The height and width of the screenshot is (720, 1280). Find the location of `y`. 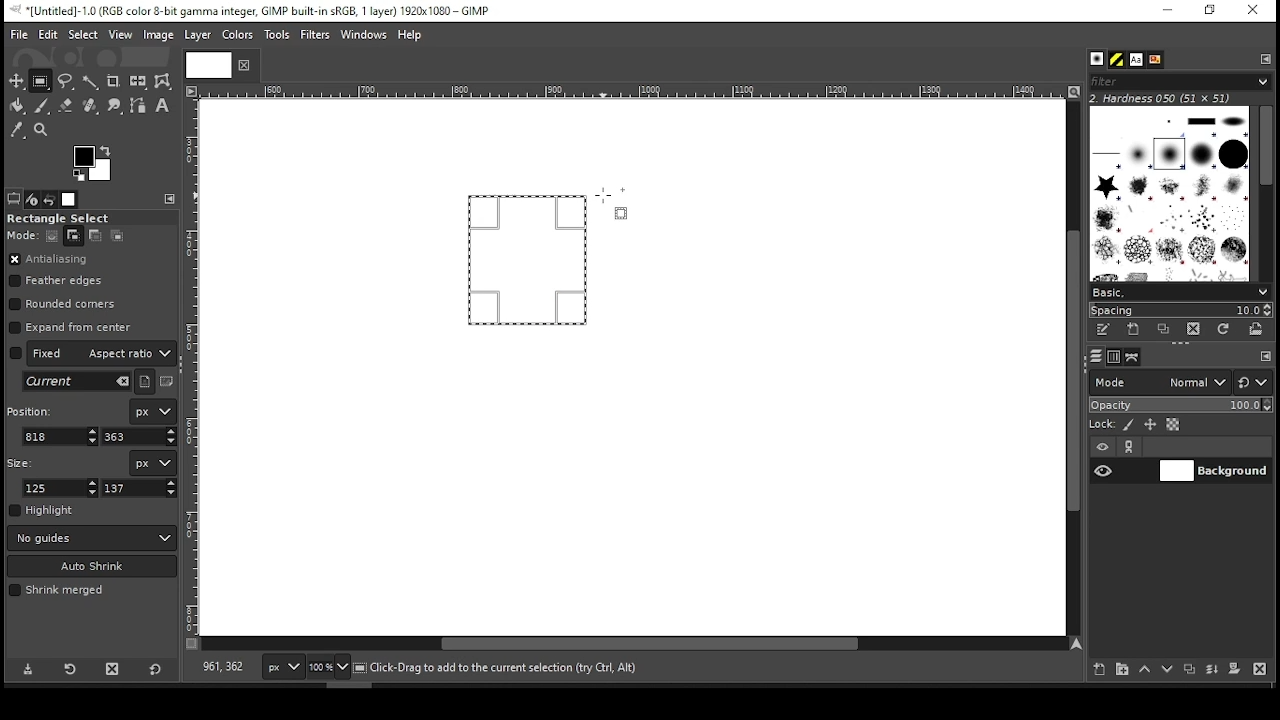

y is located at coordinates (137, 437).